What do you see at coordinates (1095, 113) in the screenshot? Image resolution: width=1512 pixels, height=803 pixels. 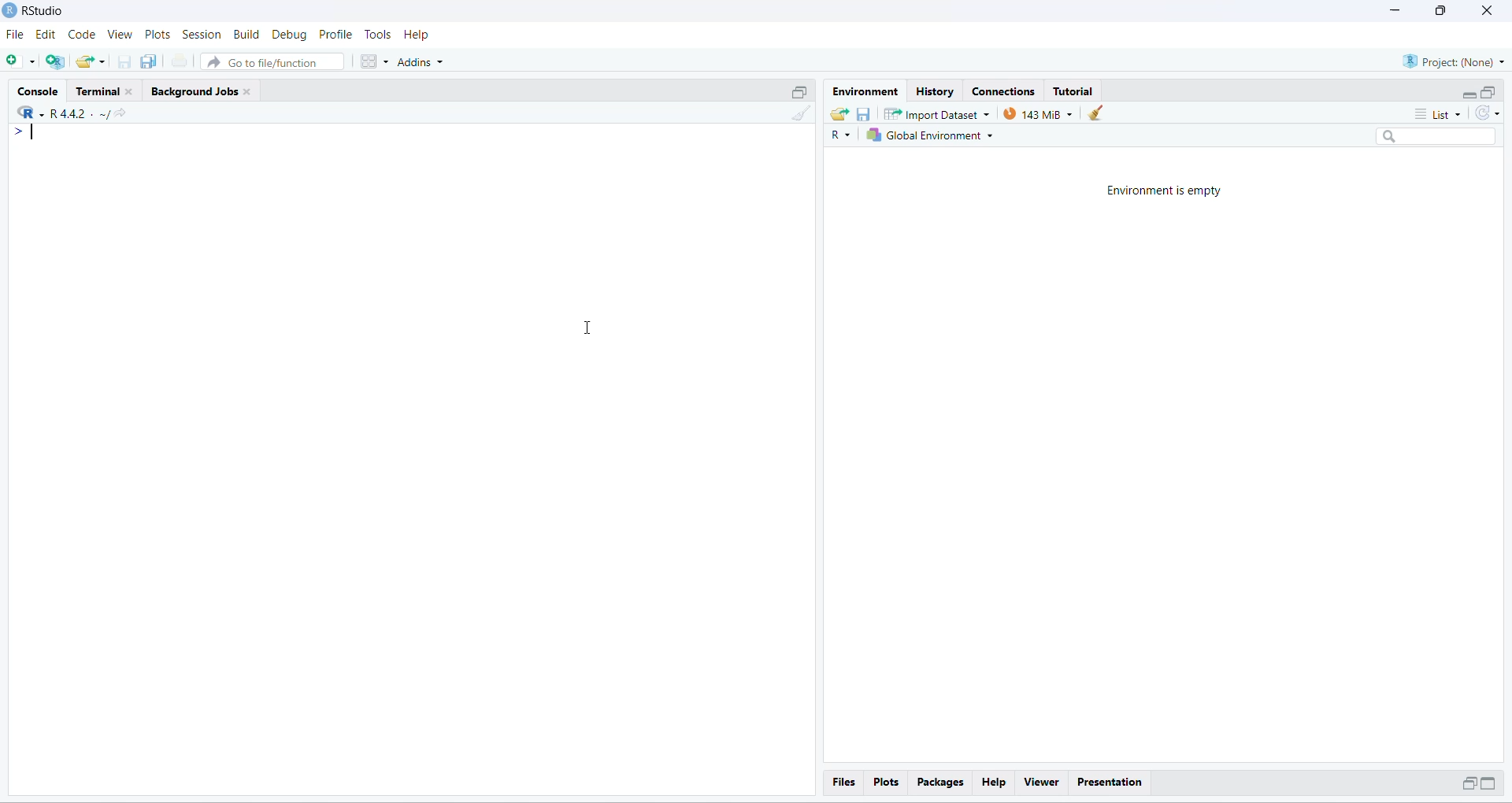 I see `clean` at bounding box center [1095, 113].